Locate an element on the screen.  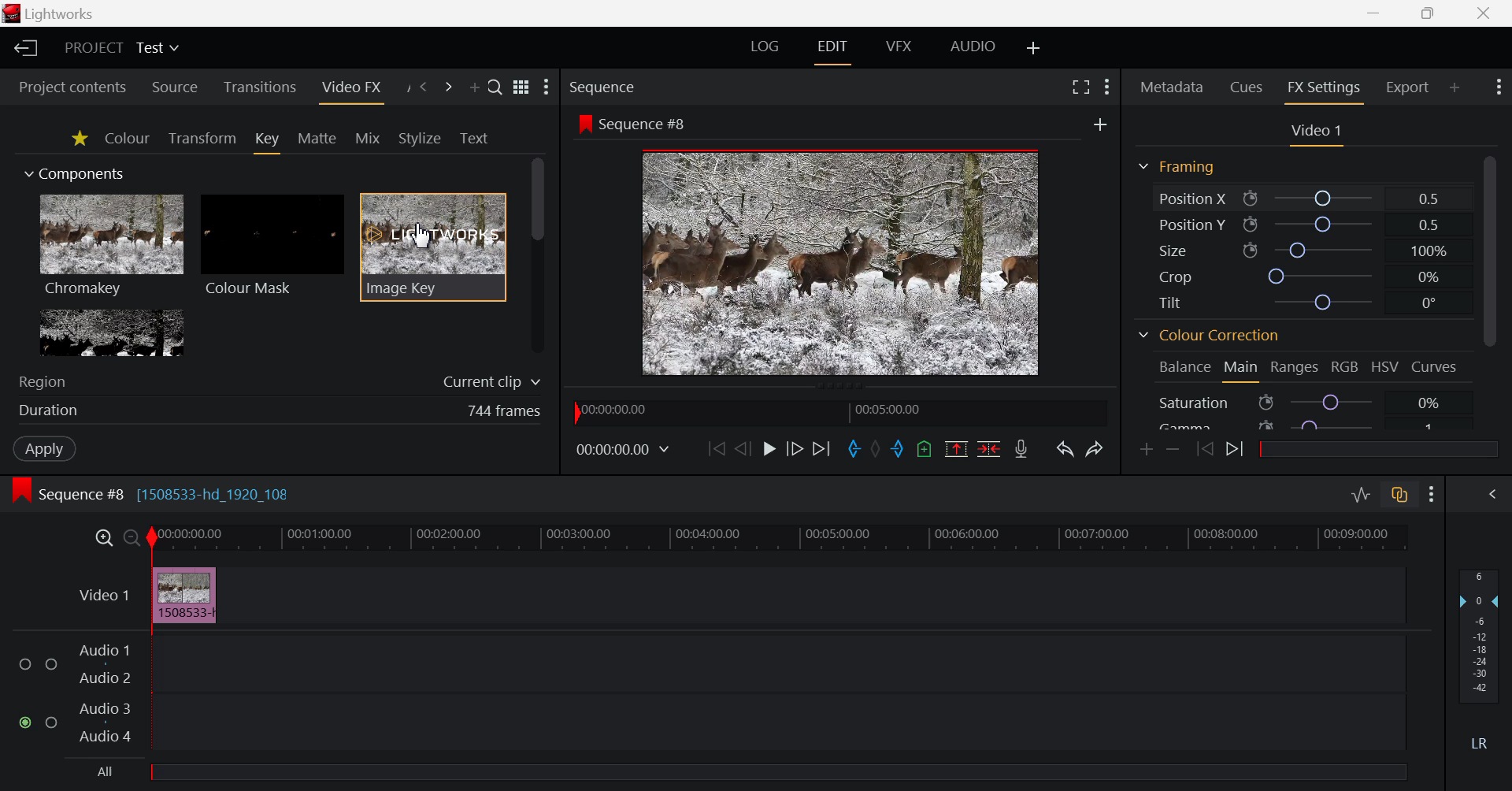
Record Voiceover is located at coordinates (1025, 451).